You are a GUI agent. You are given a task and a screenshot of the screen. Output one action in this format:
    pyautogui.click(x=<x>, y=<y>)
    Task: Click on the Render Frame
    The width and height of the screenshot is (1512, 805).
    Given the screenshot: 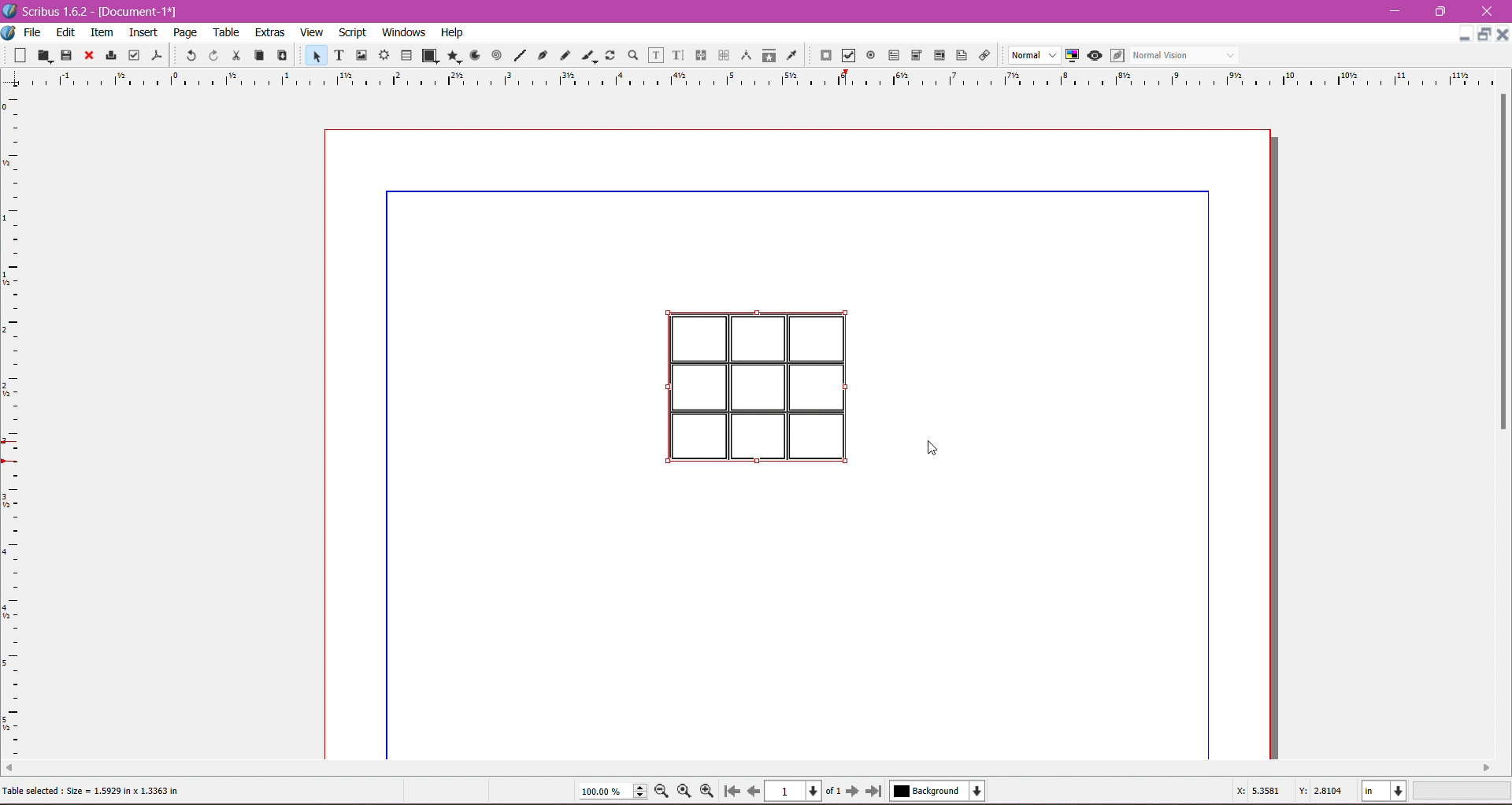 What is the action you would take?
    pyautogui.click(x=384, y=55)
    